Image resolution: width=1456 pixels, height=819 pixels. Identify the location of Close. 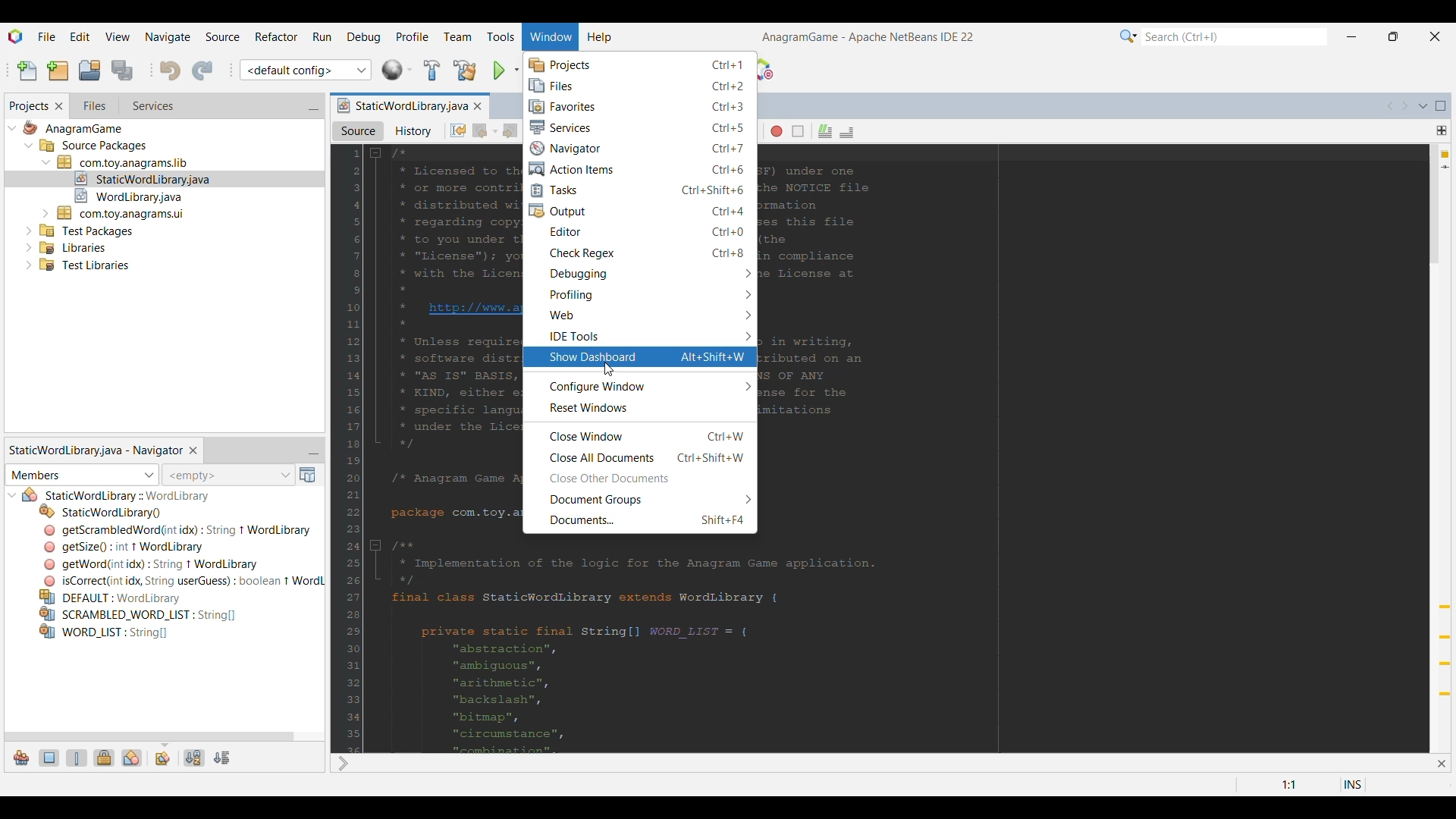
(1441, 764).